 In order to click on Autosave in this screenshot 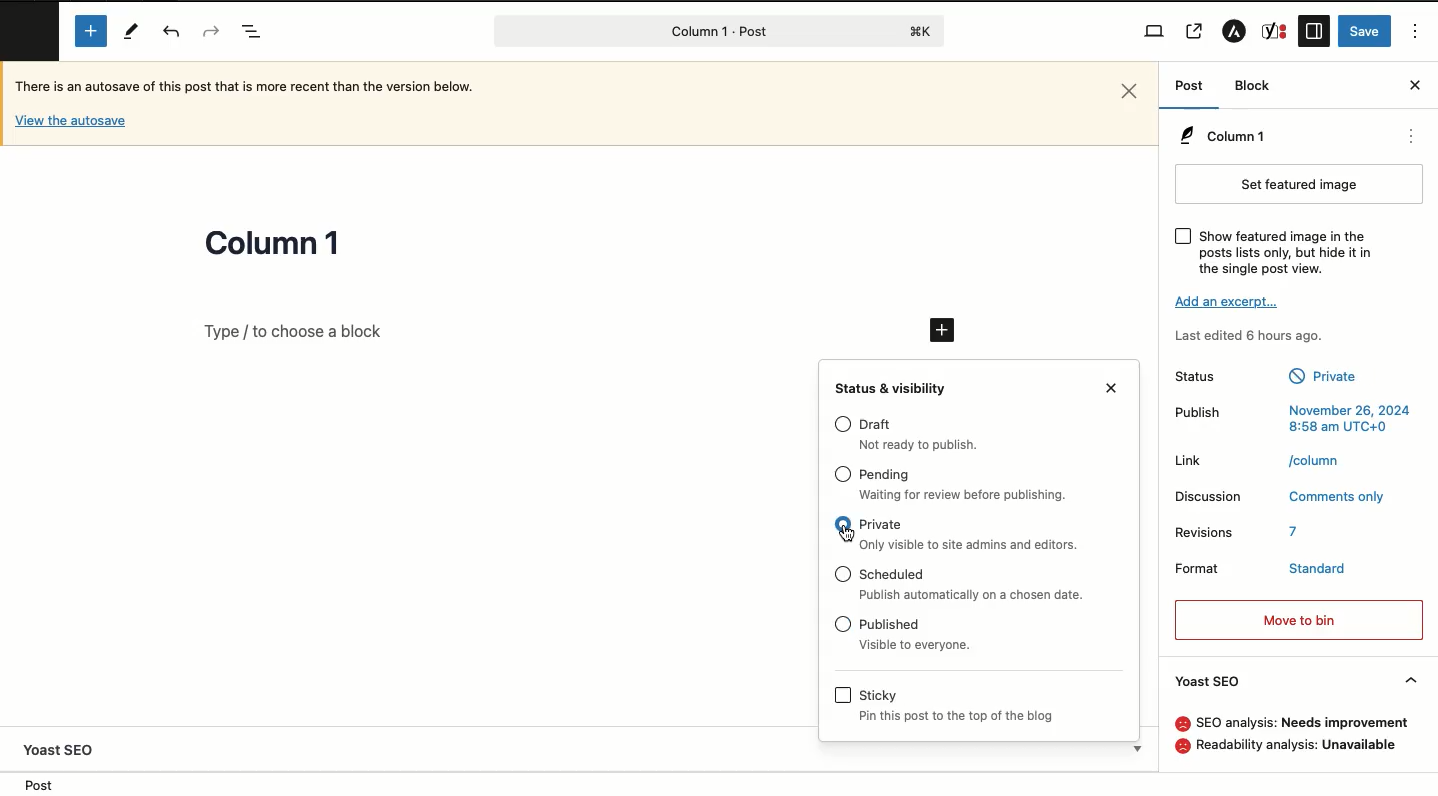, I will do `click(71, 120)`.